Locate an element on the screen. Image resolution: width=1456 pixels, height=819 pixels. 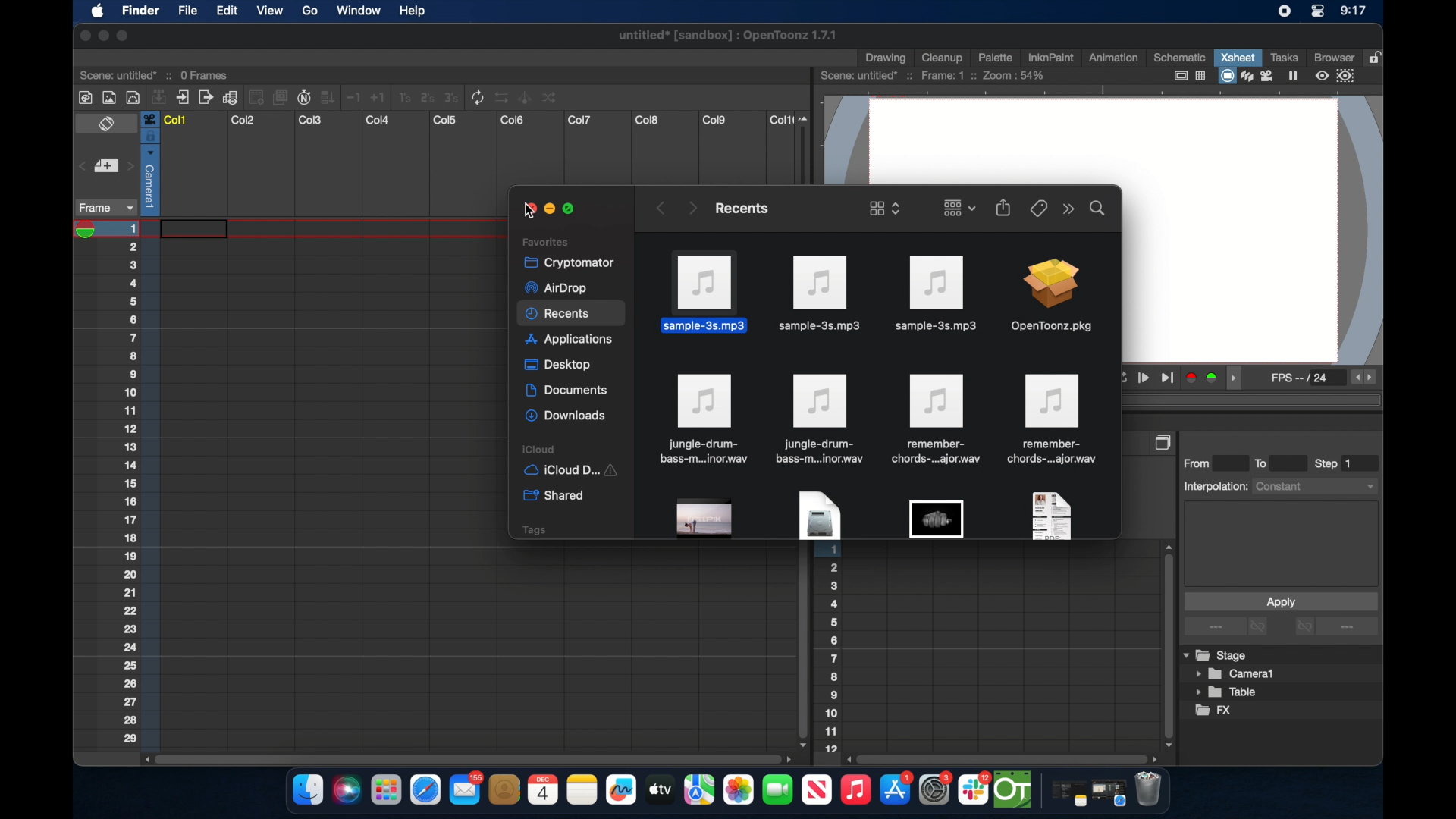
maximize is located at coordinates (572, 209).